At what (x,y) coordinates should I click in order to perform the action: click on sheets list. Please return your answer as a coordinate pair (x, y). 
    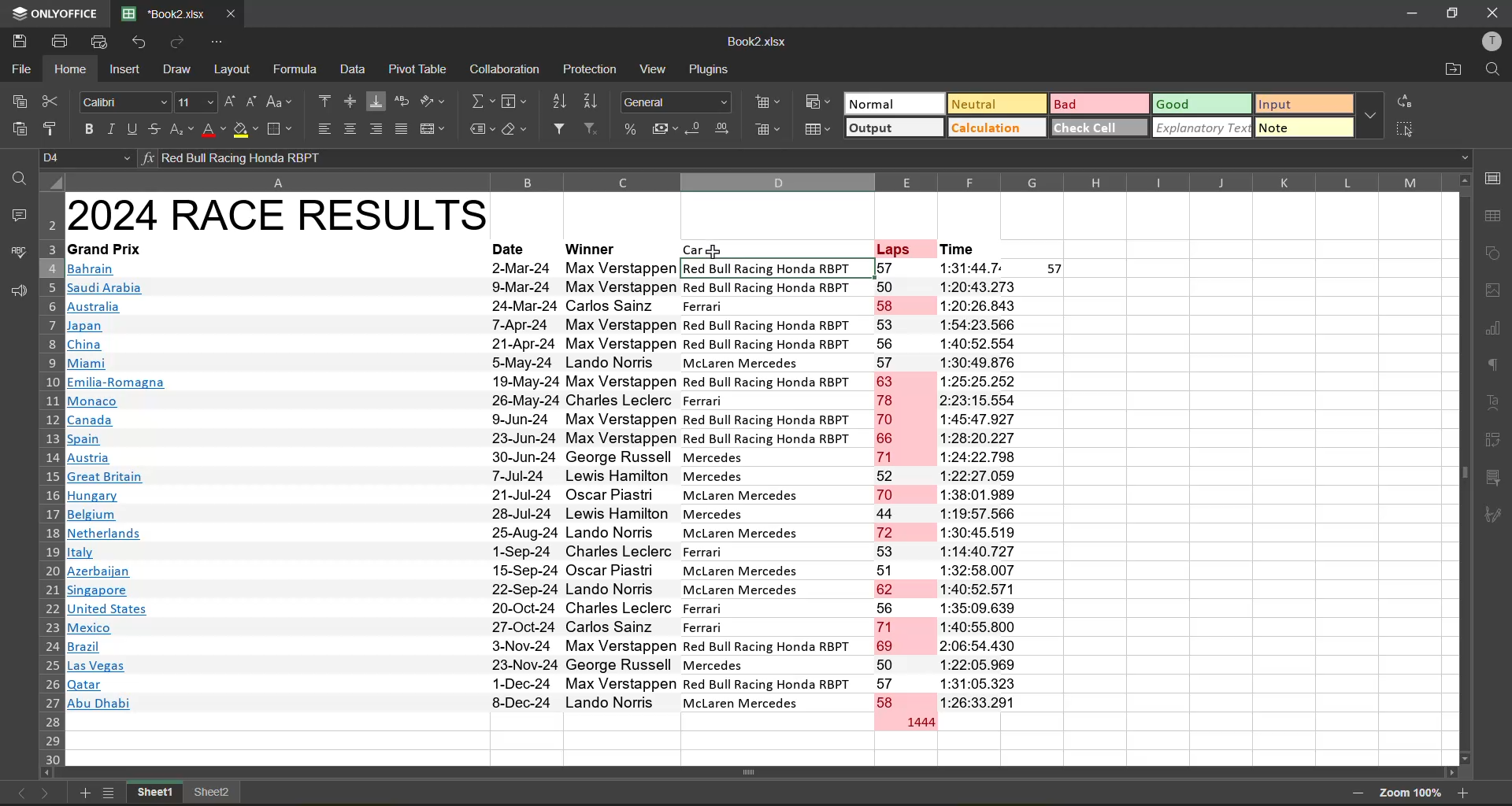
    Looking at the image, I should click on (110, 794).